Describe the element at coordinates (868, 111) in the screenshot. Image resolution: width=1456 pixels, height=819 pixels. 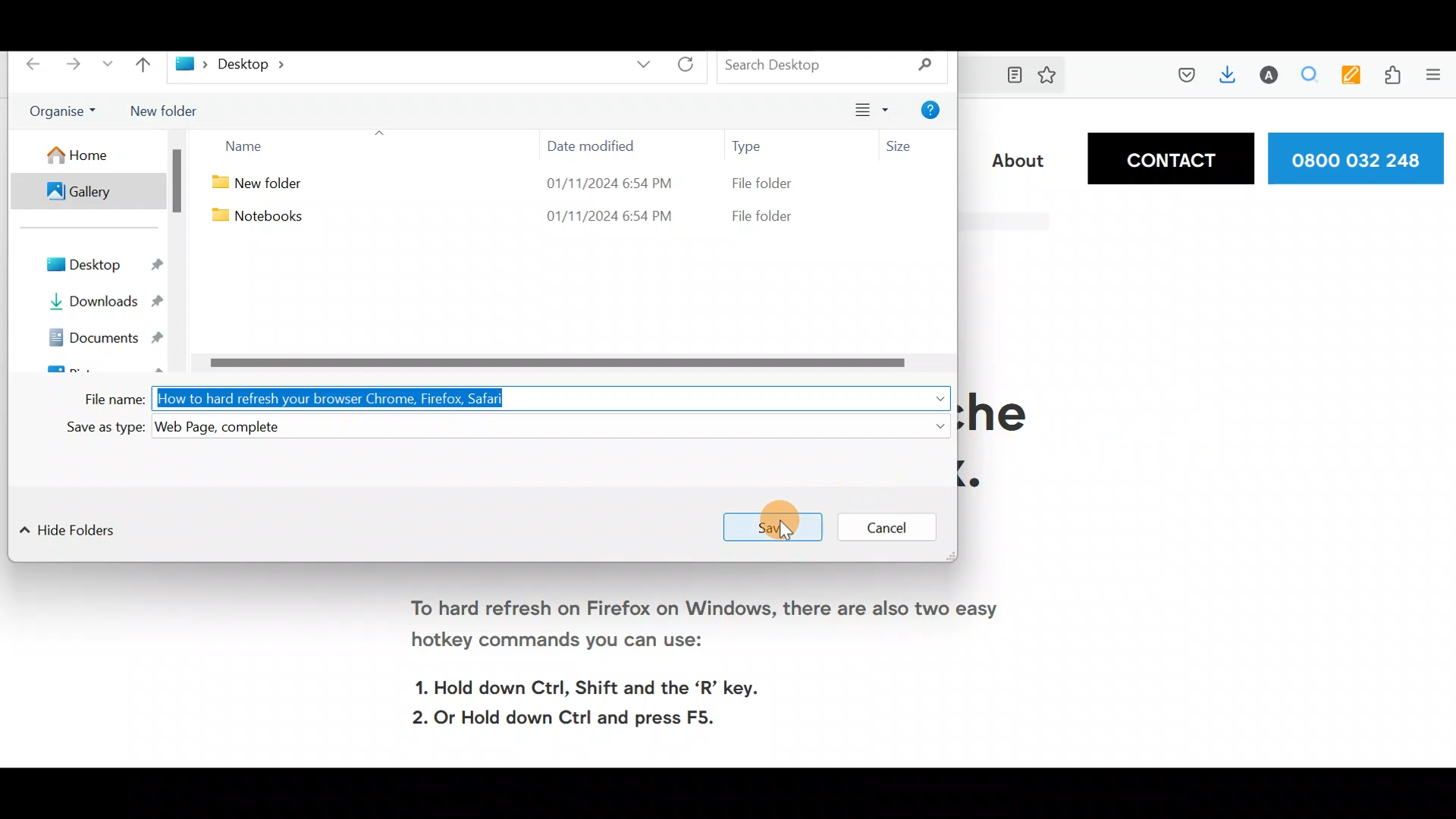
I see `Change your view` at that location.